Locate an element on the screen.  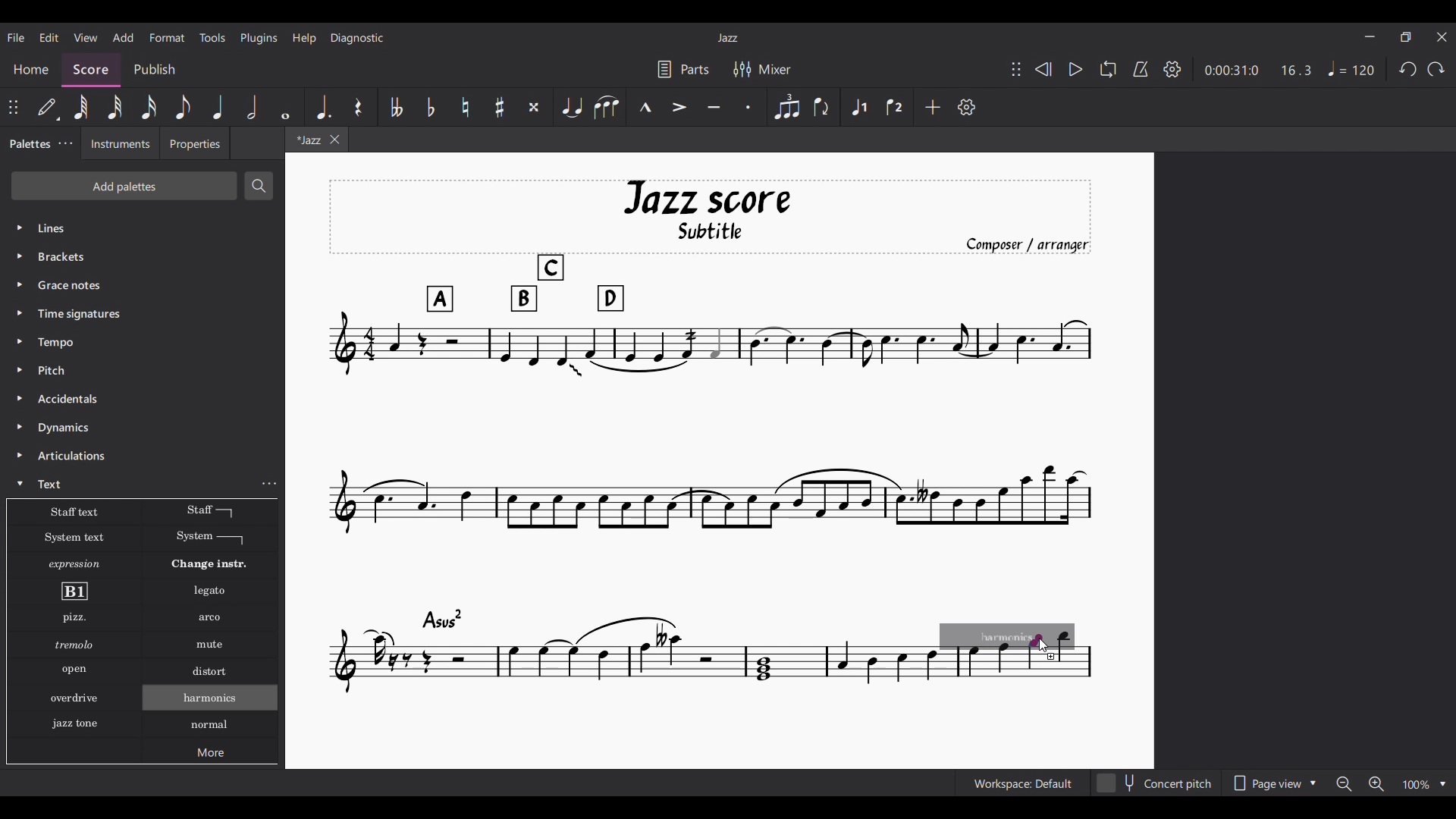
Legato is located at coordinates (212, 591).